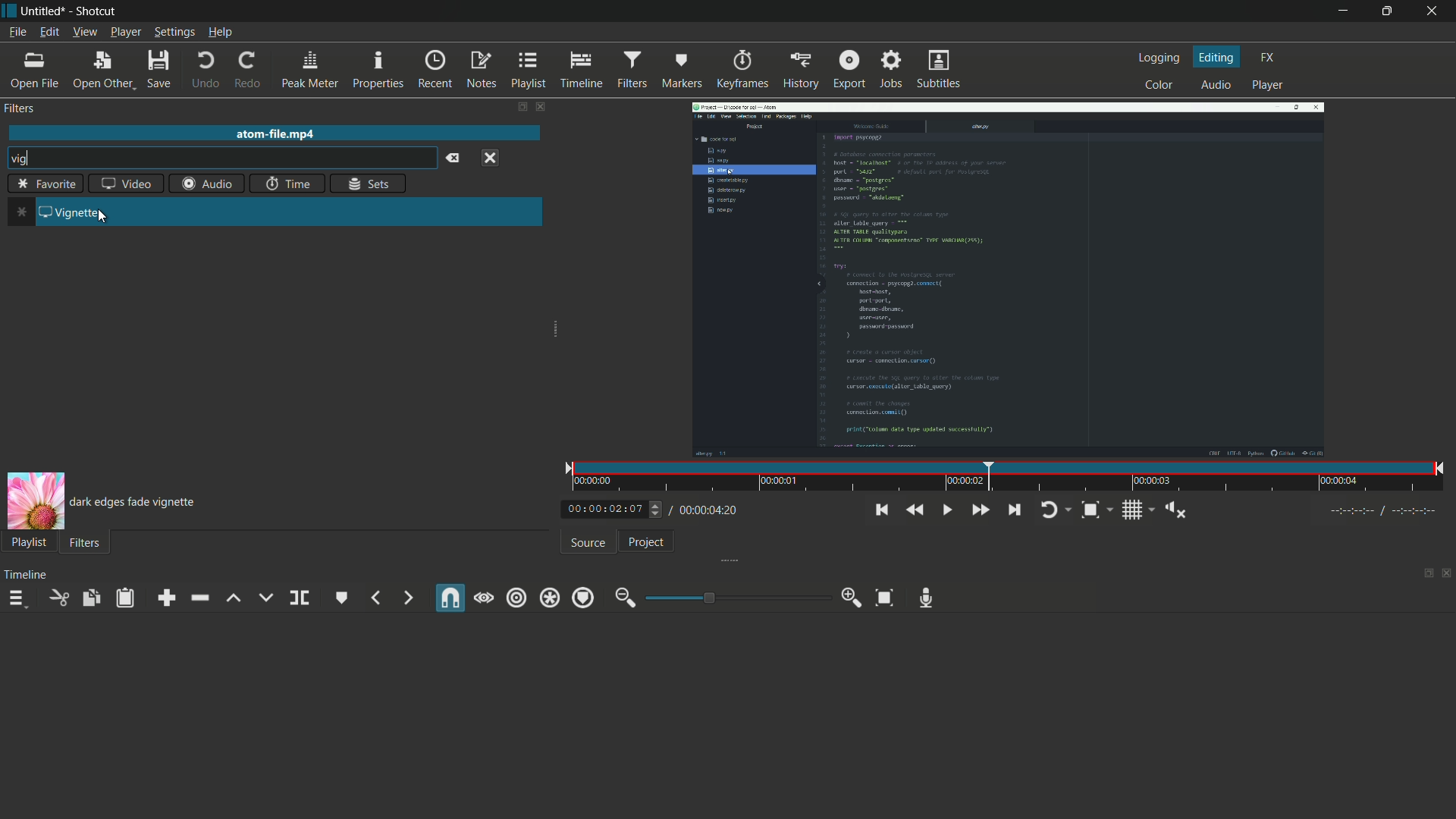 The height and width of the screenshot is (819, 1456). Describe the element at coordinates (1161, 57) in the screenshot. I see `logging` at that location.